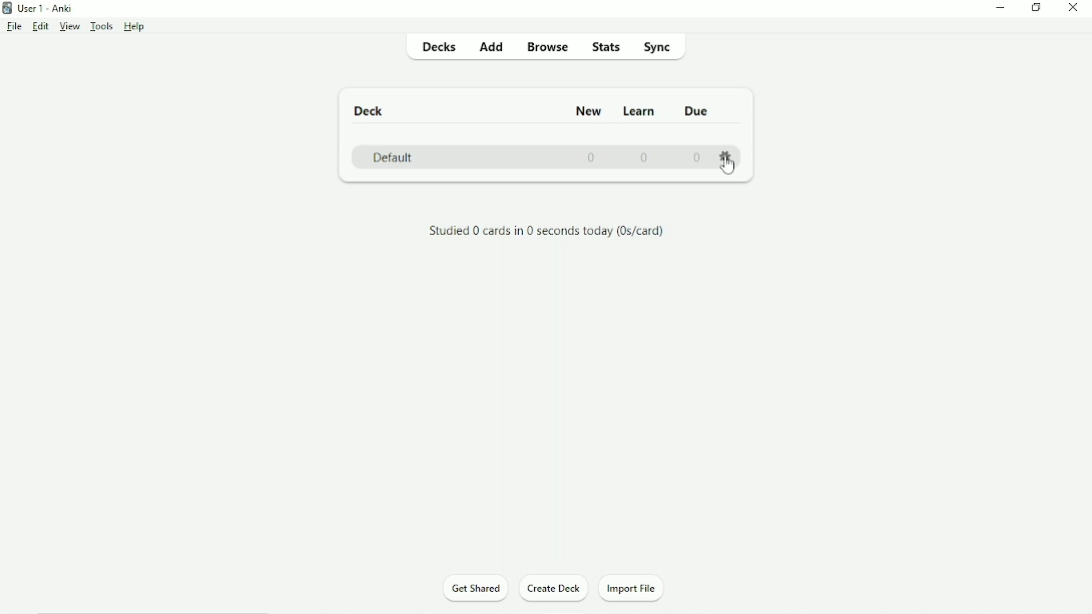 The image size is (1092, 614). Describe the element at coordinates (135, 27) in the screenshot. I see `Help` at that location.